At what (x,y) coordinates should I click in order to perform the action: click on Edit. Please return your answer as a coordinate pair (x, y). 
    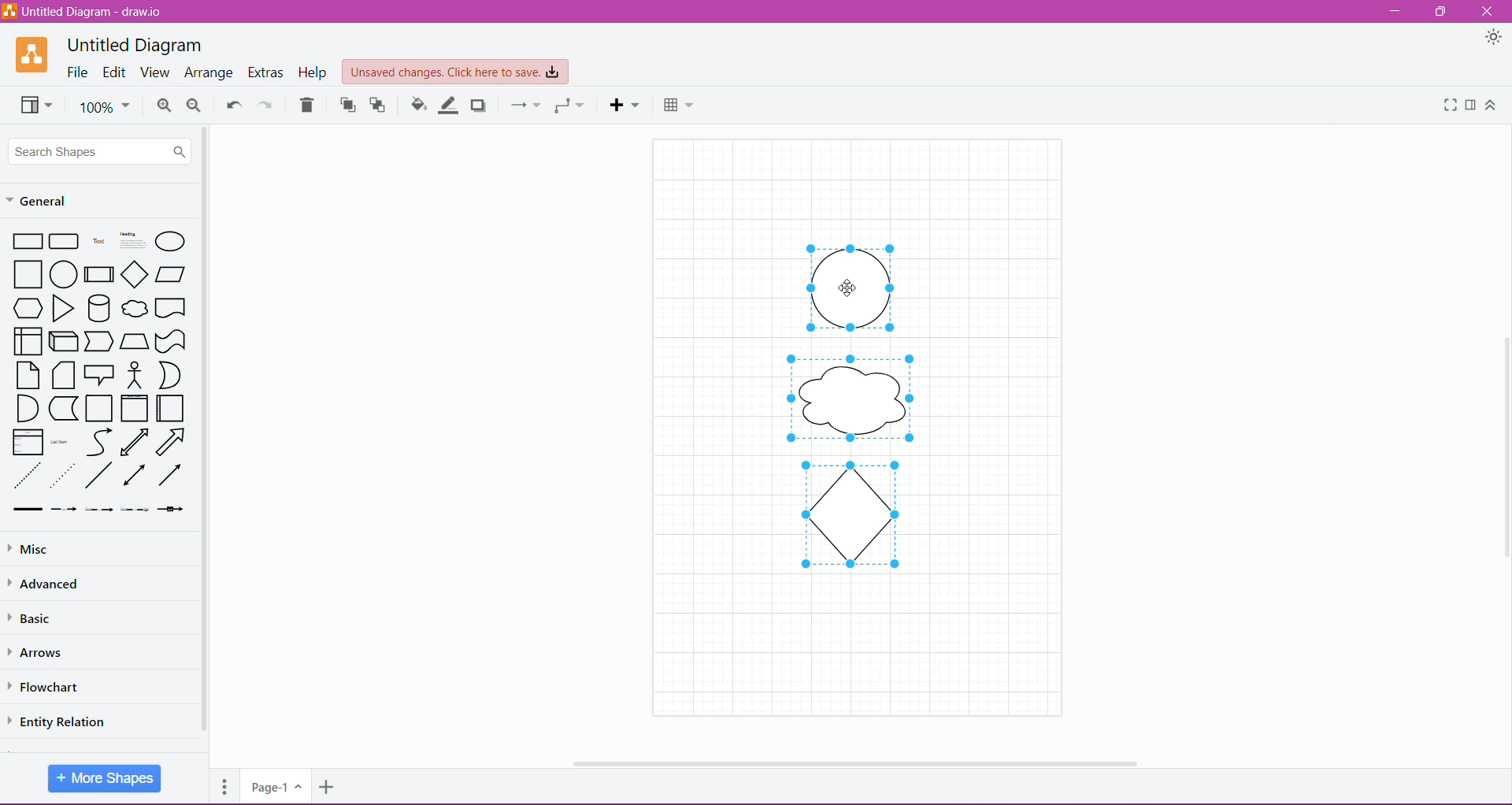
    Looking at the image, I should click on (115, 73).